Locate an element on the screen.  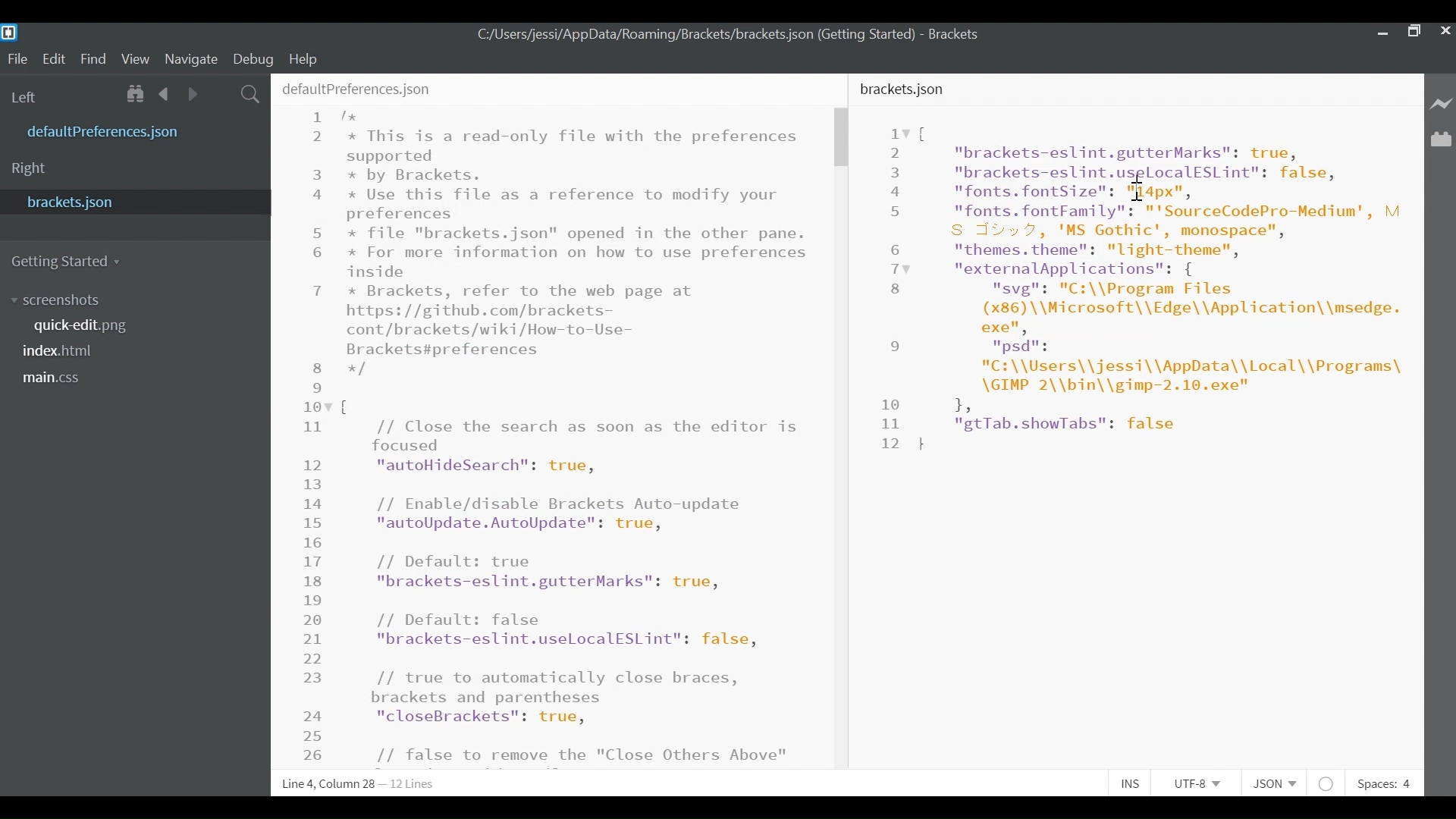
Debug is located at coordinates (252, 58).